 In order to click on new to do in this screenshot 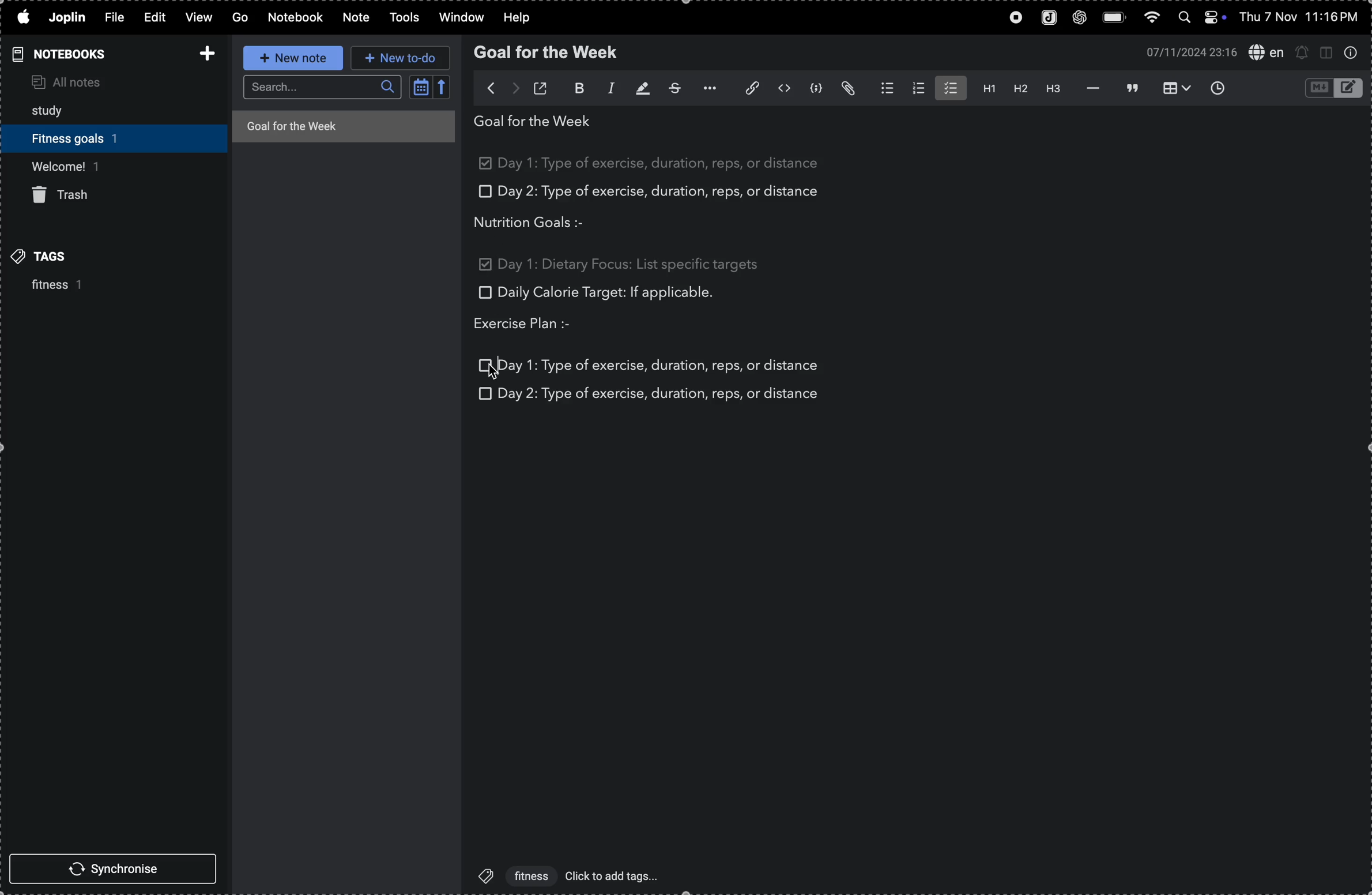, I will do `click(400, 59)`.